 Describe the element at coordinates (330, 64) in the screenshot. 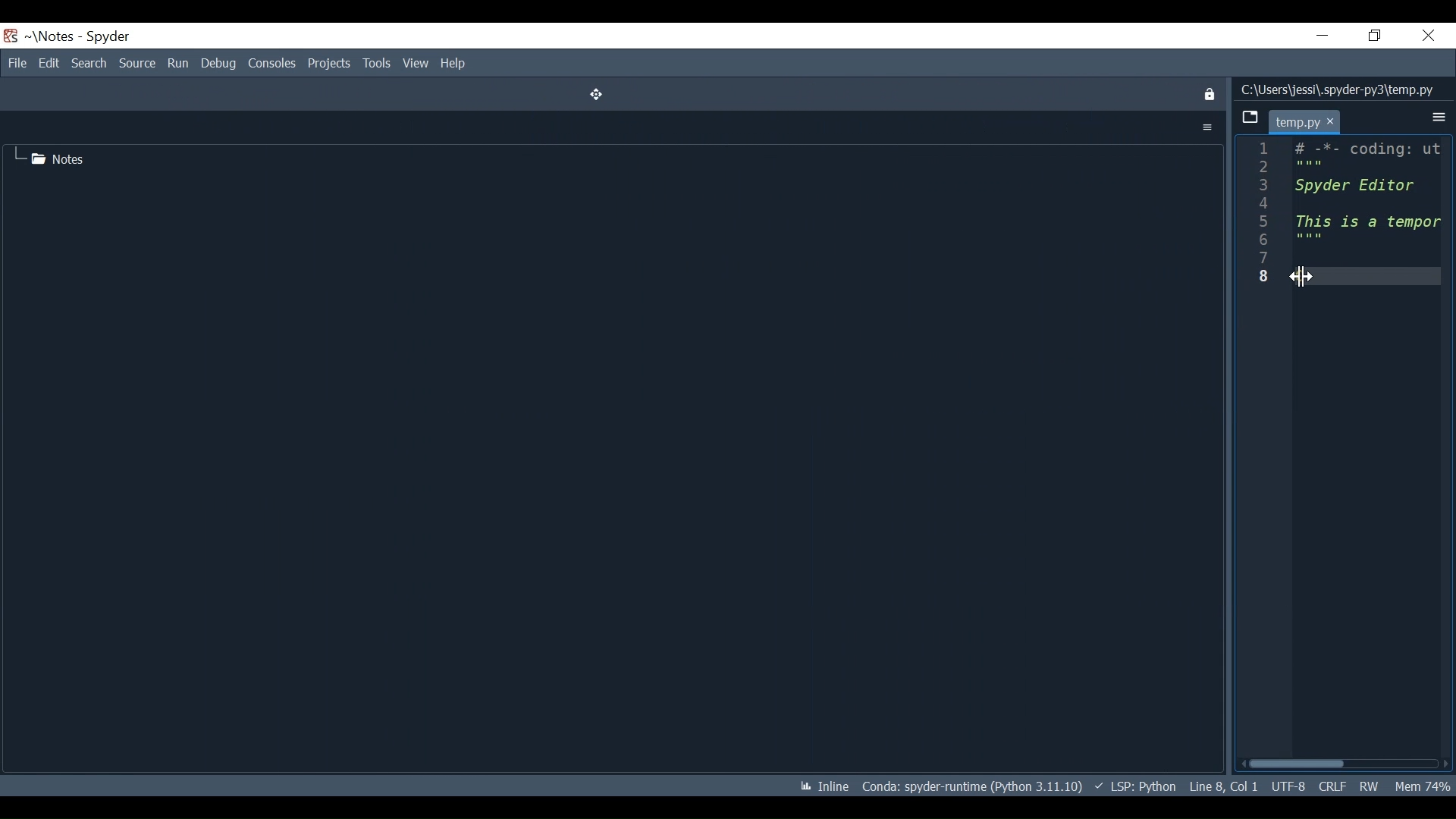

I see `Projects` at that location.